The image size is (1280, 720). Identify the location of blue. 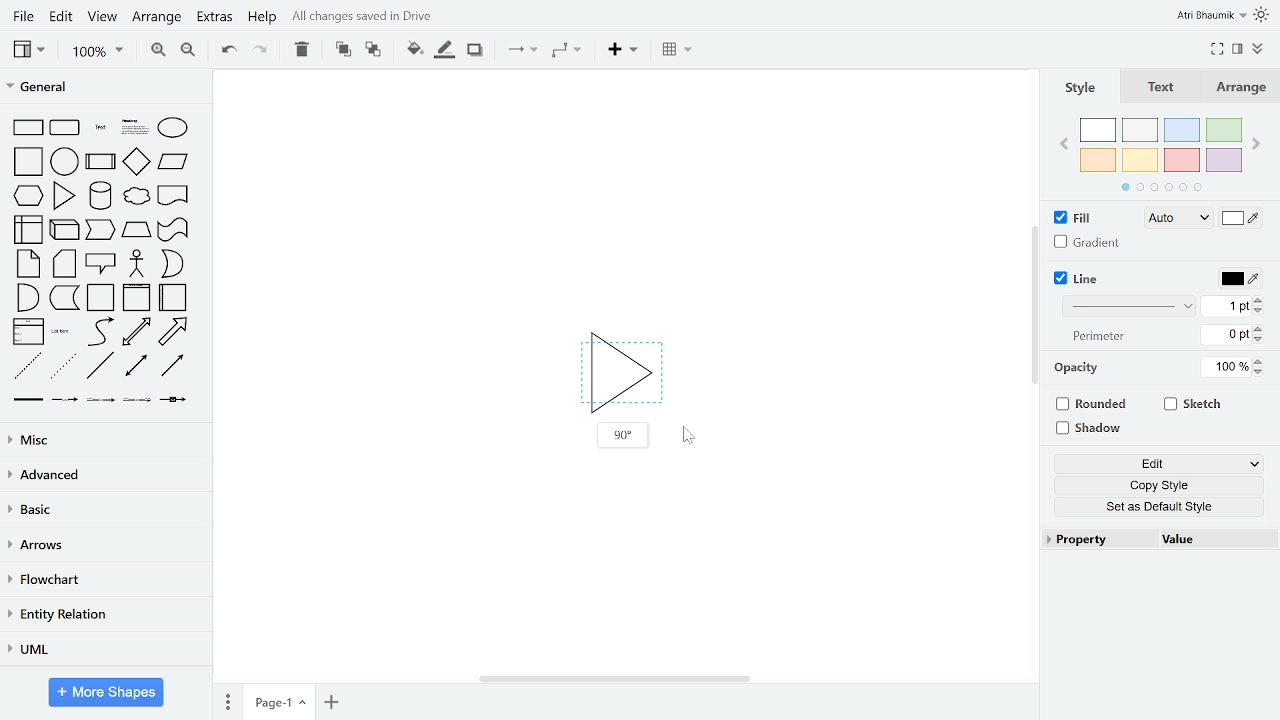
(1182, 130).